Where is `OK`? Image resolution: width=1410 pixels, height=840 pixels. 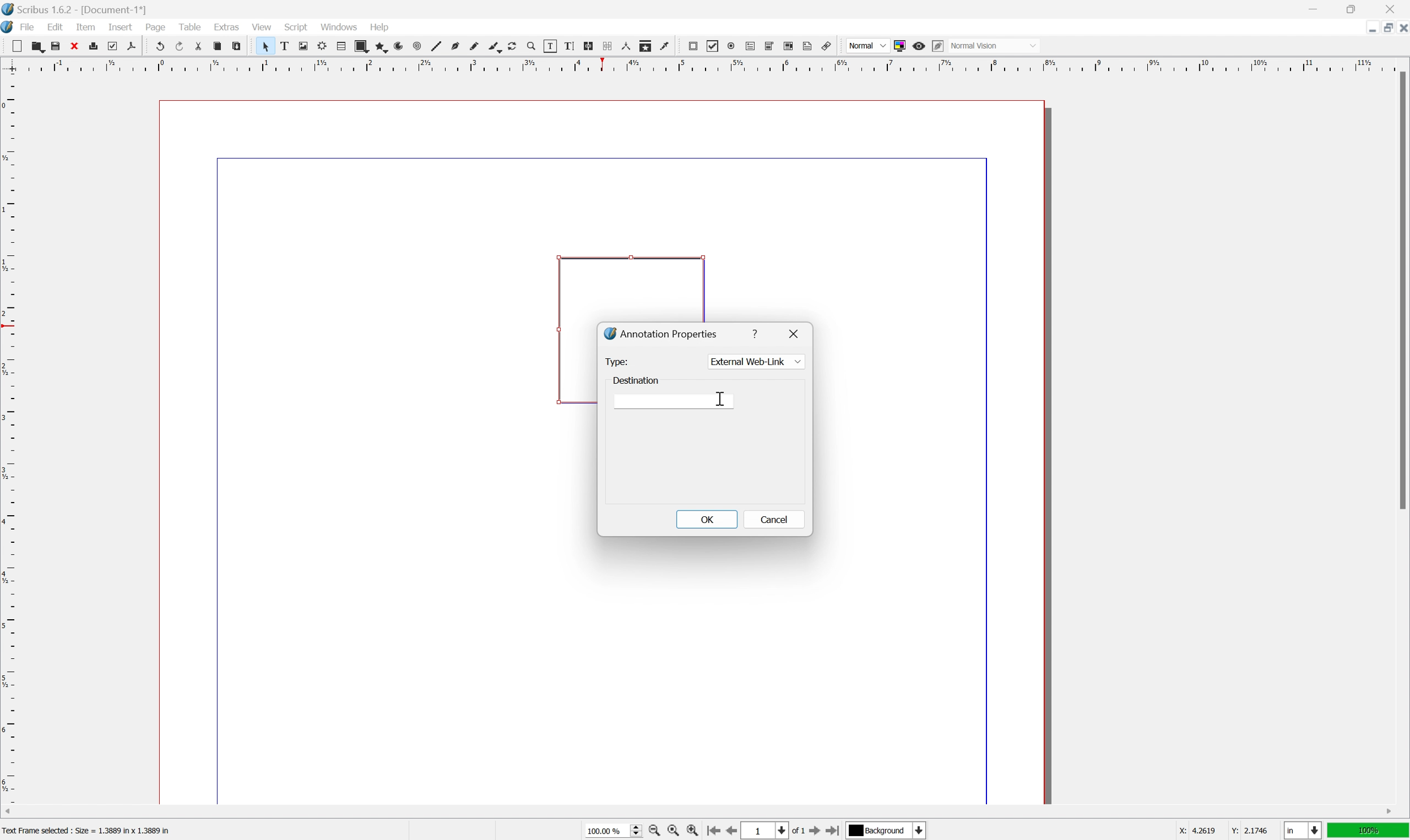
OK is located at coordinates (707, 519).